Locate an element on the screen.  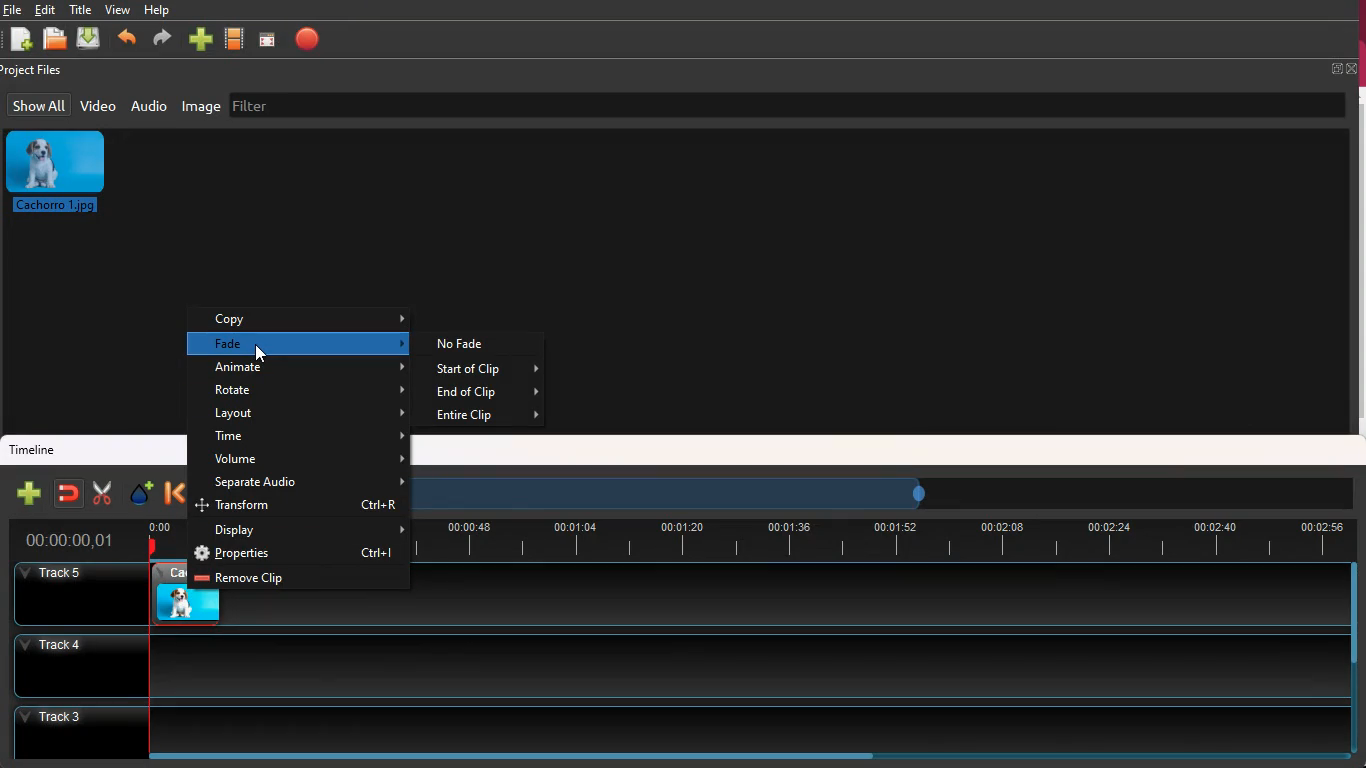
scroll bar is located at coordinates (511, 755).